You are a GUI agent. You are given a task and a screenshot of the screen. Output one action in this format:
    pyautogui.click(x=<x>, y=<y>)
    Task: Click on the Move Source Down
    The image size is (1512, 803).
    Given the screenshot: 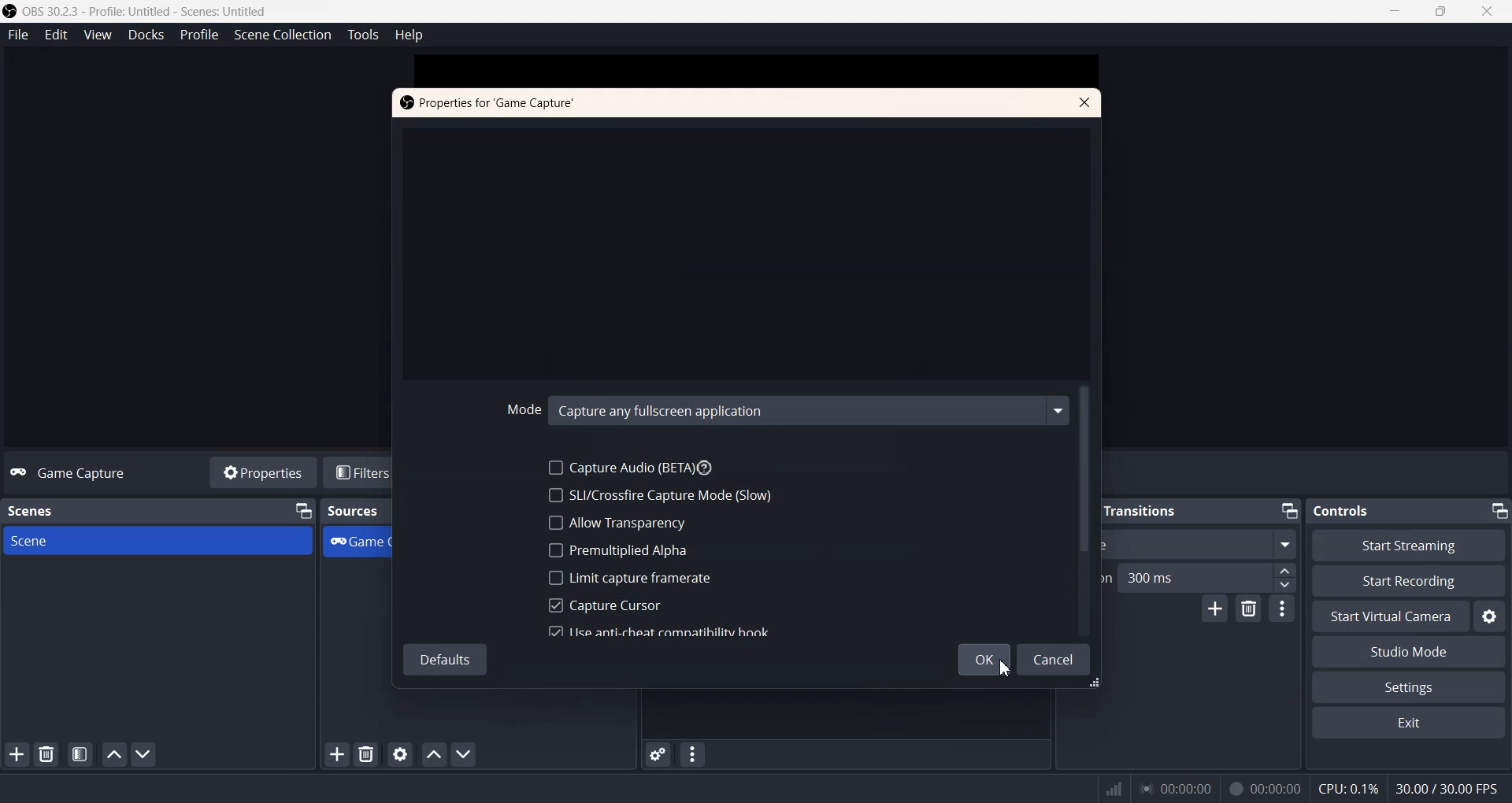 What is the action you would take?
    pyautogui.click(x=464, y=753)
    